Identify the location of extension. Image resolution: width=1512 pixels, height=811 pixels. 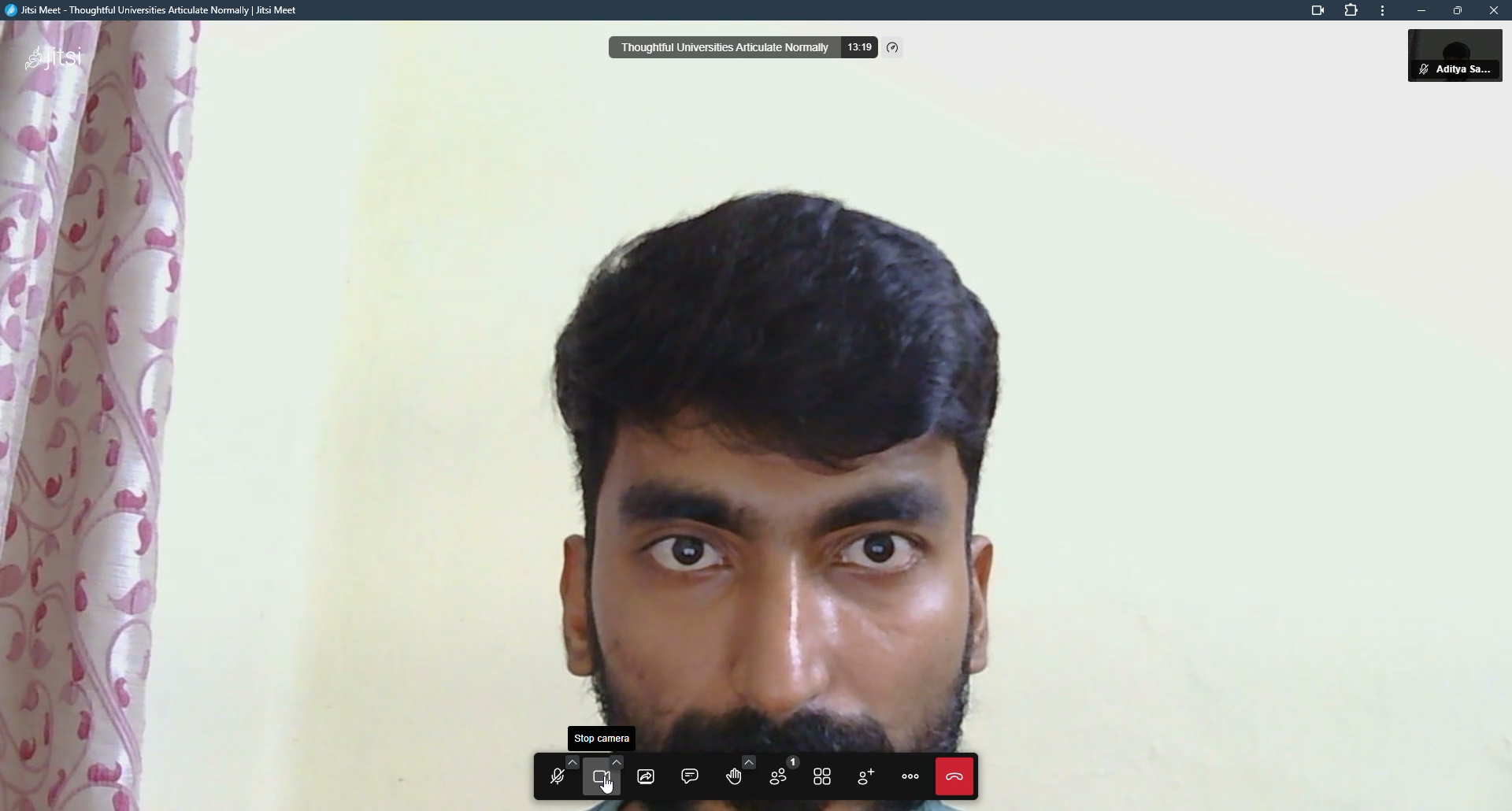
(1351, 11).